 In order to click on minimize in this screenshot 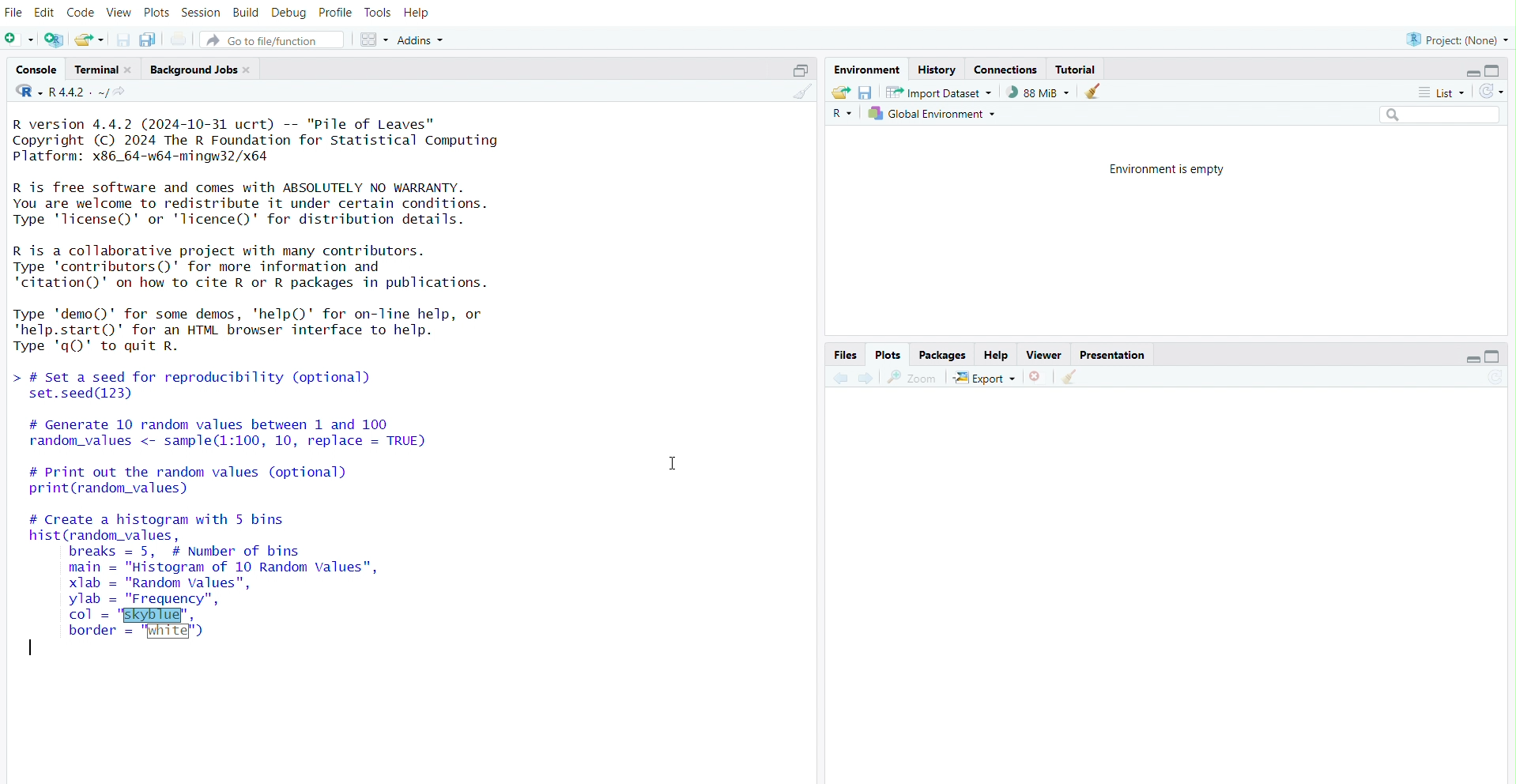, I will do `click(1468, 357)`.